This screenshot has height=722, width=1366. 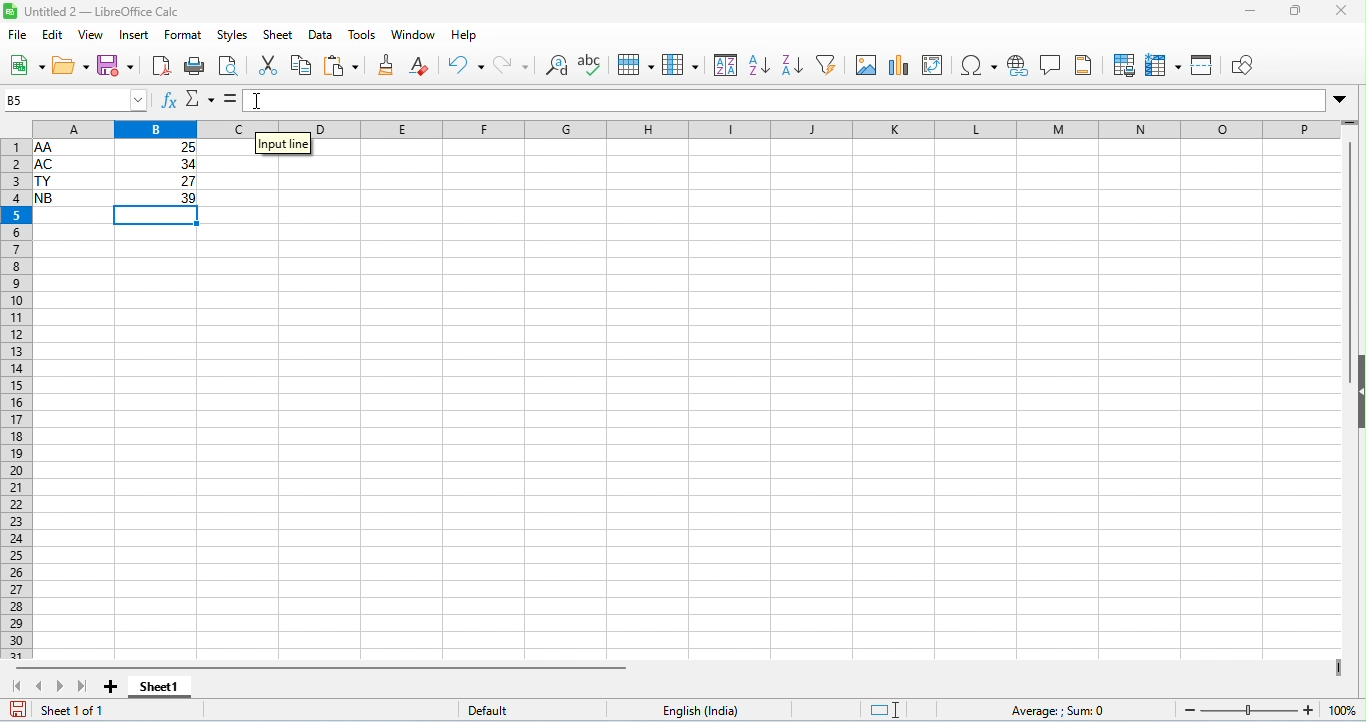 I want to click on header and footer, so click(x=1086, y=65).